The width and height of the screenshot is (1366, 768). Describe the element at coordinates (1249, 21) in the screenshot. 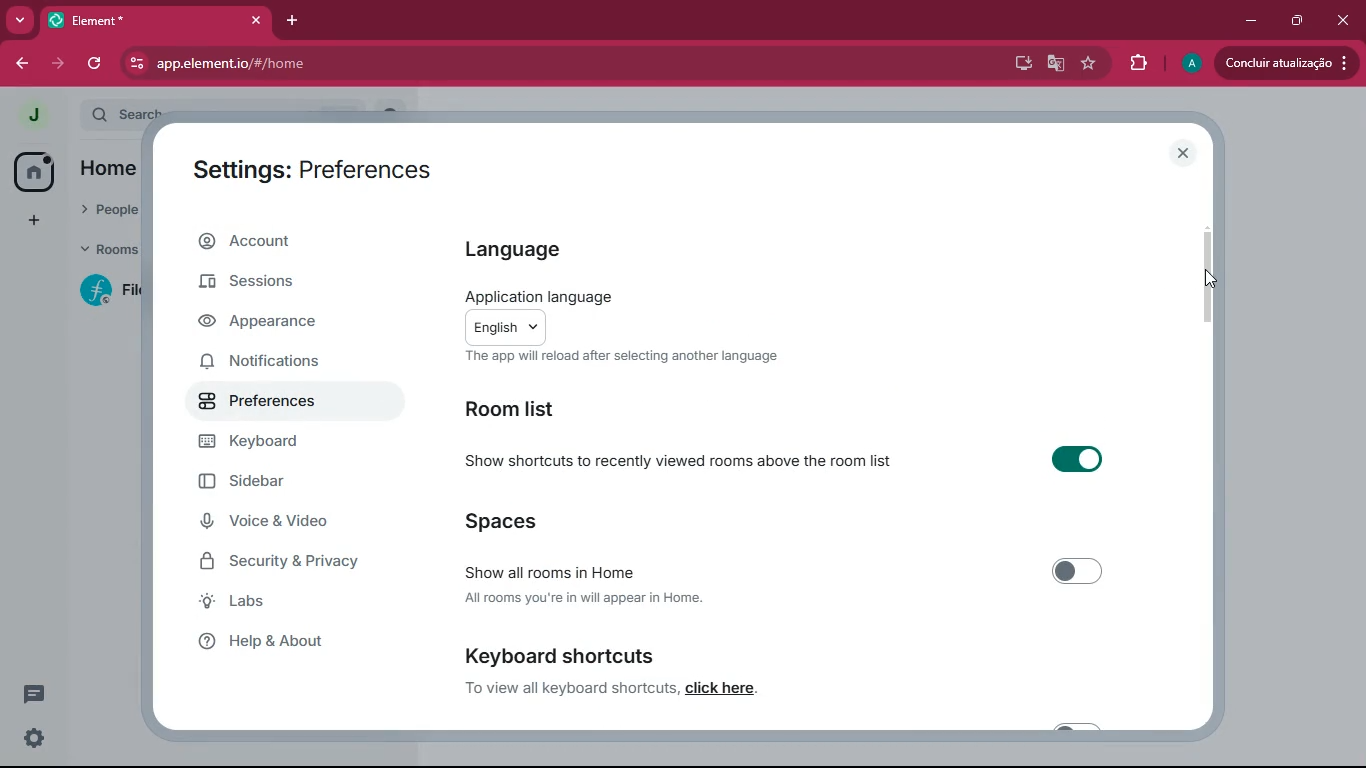

I see `minimize` at that location.